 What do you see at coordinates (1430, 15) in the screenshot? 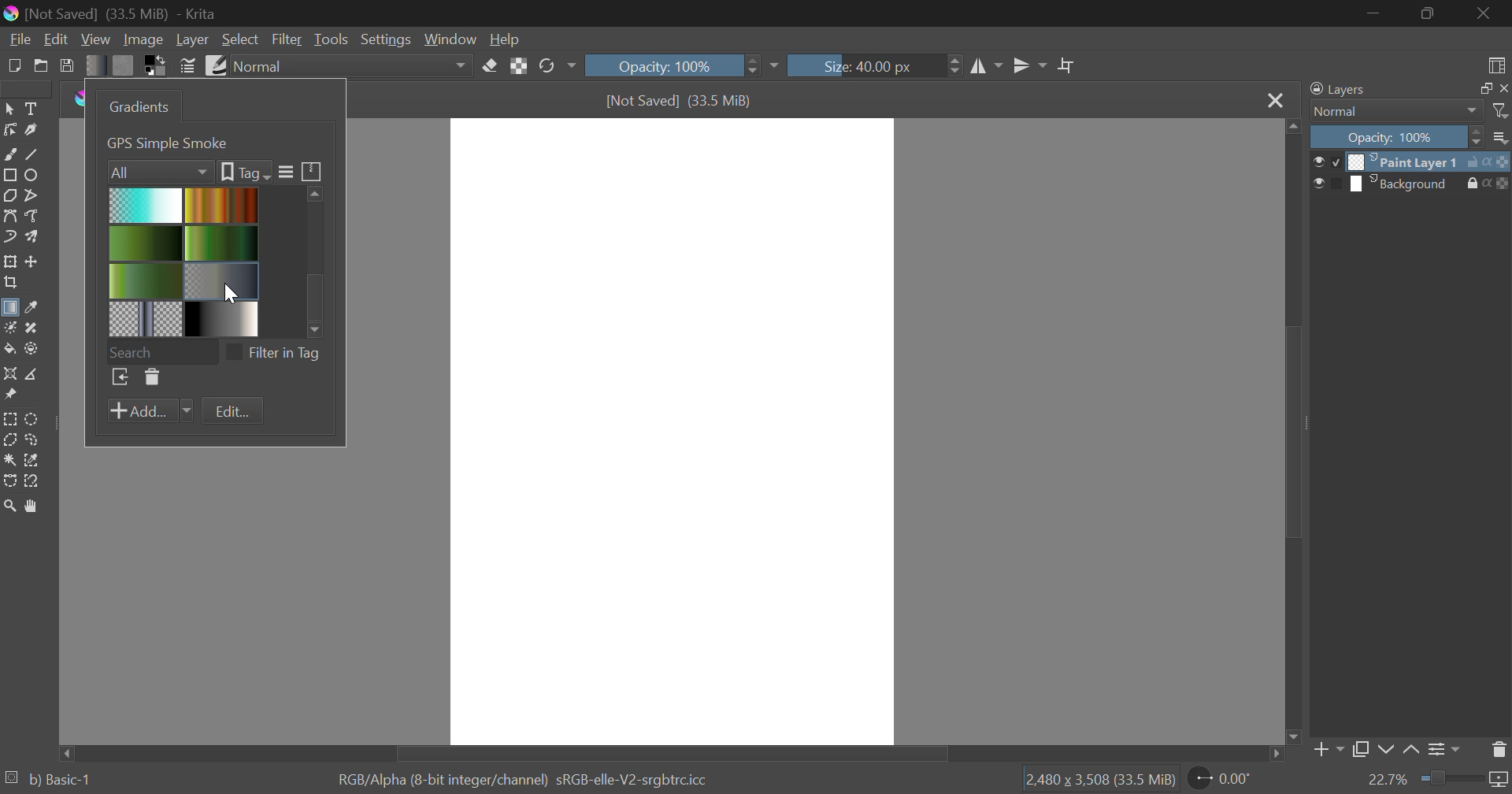
I see `Minimize` at bounding box center [1430, 15].